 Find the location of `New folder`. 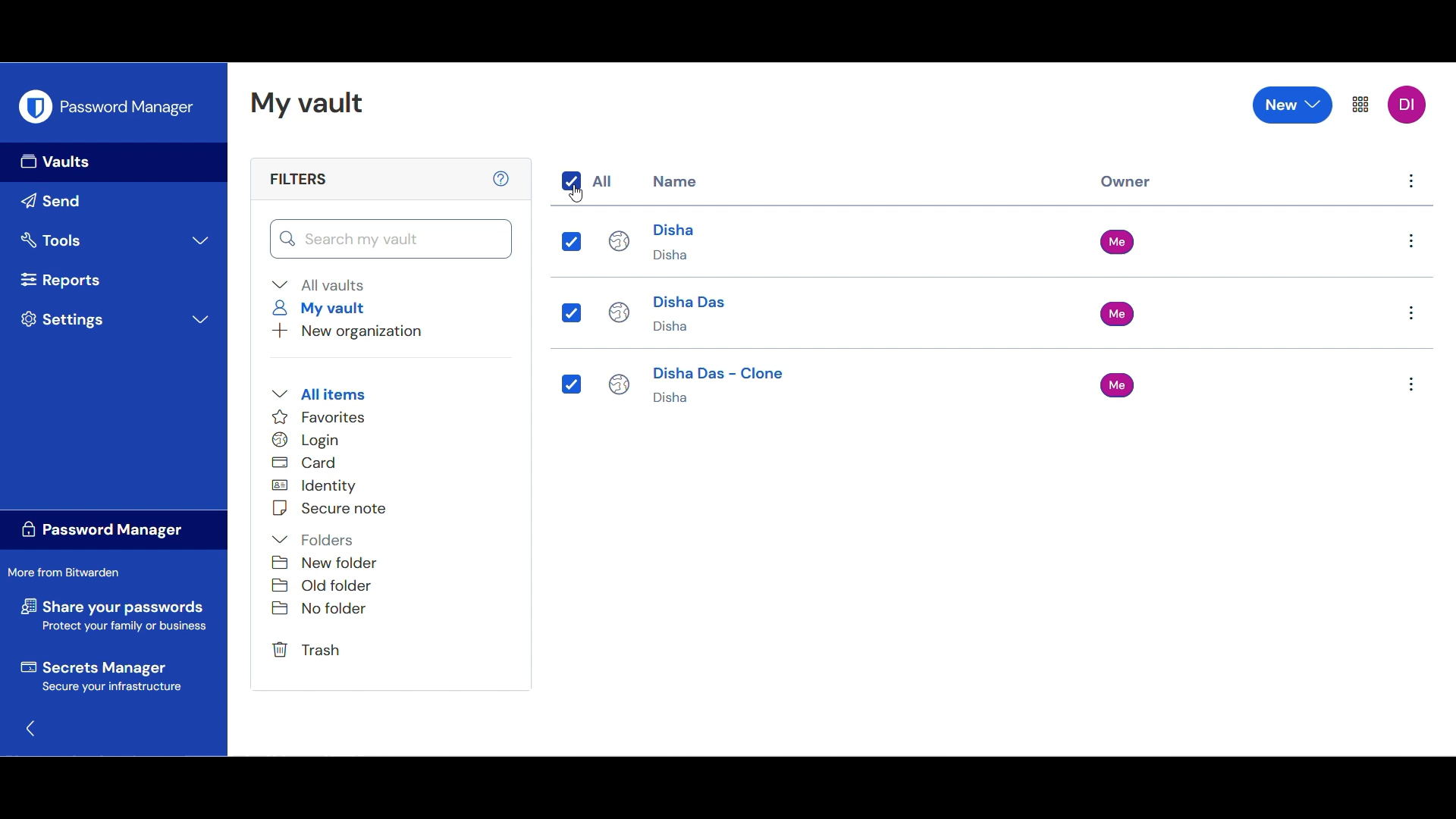

New folder is located at coordinates (325, 563).